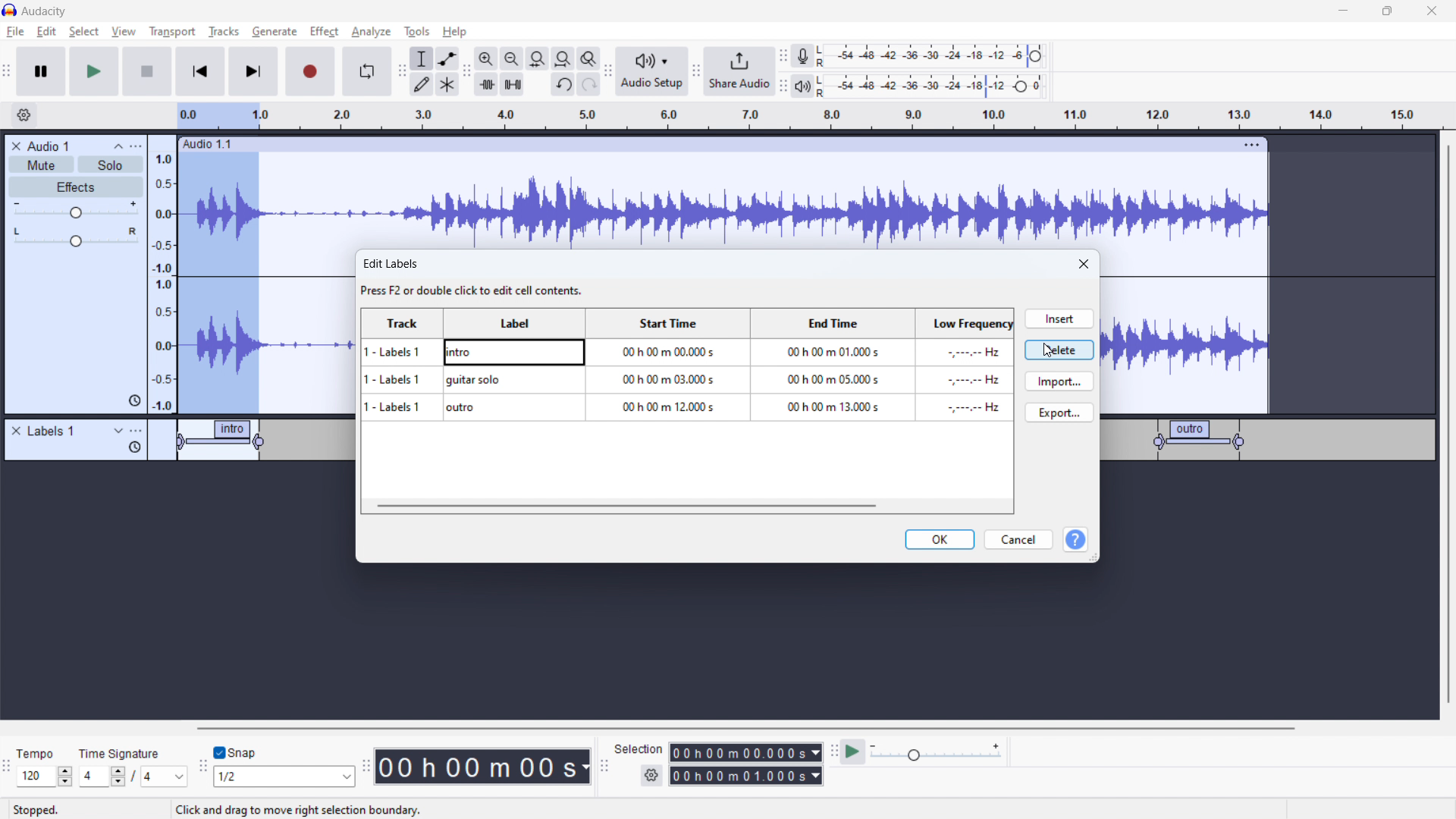  Describe the element at coordinates (180, 510) in the screenshot. I see `timeline` at that location.